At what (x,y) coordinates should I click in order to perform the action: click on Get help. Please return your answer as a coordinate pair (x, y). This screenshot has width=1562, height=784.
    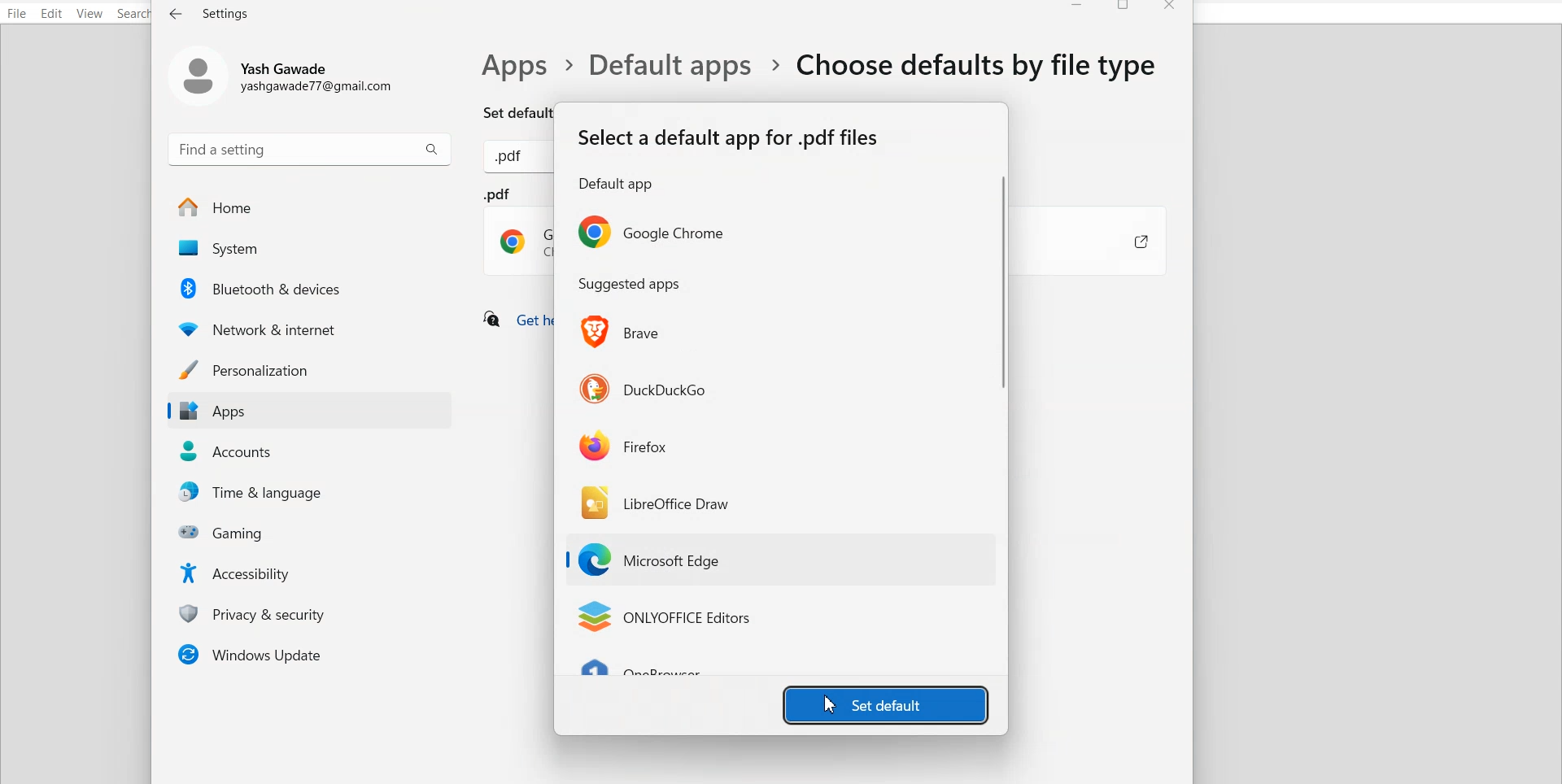
    Looking at the image, I should click on (514, 320).